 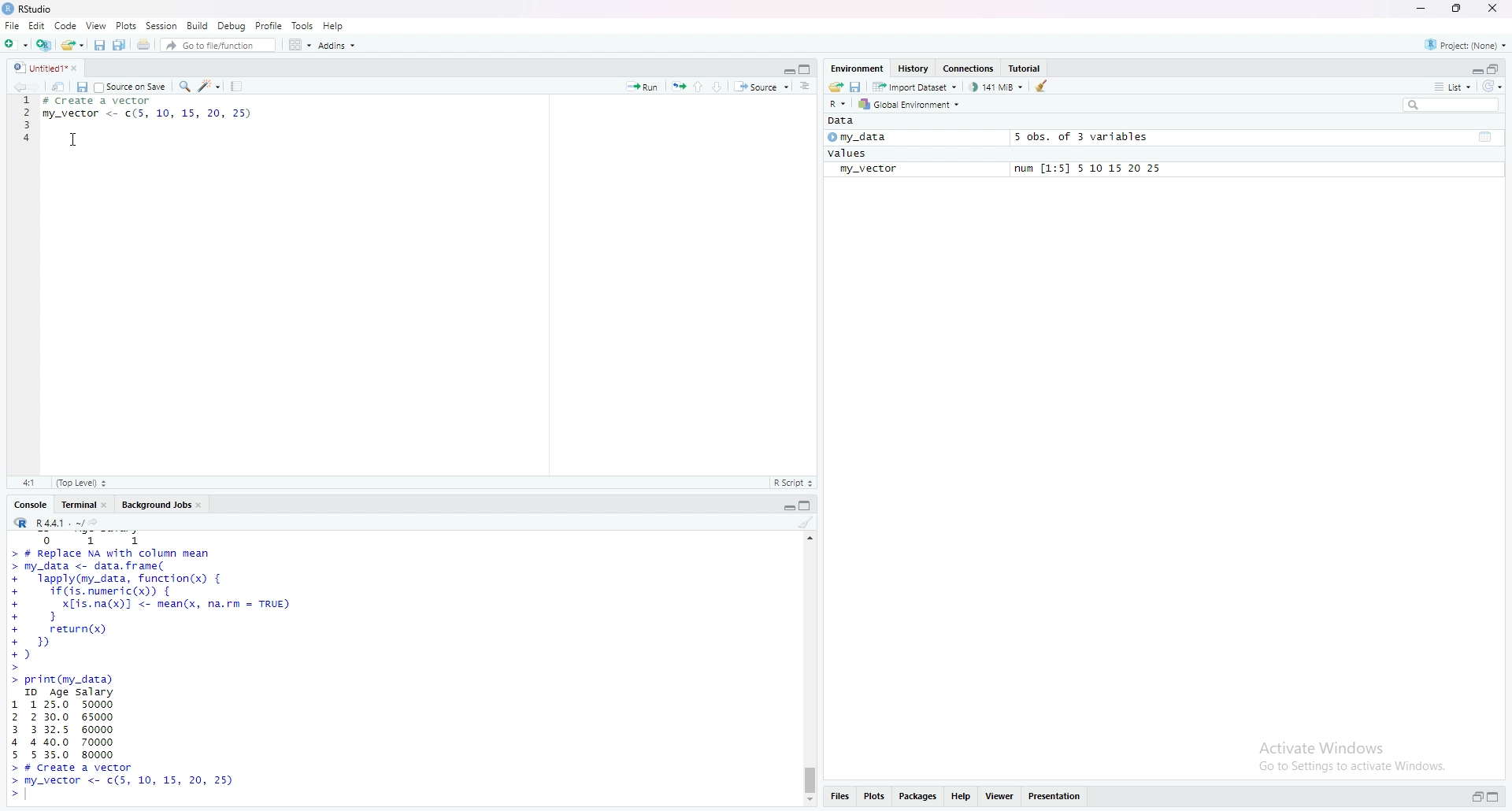 What do you see at coordinates (120, 45) in the screenshot?
I see `save all open documents` at bounding box center [120, 45].